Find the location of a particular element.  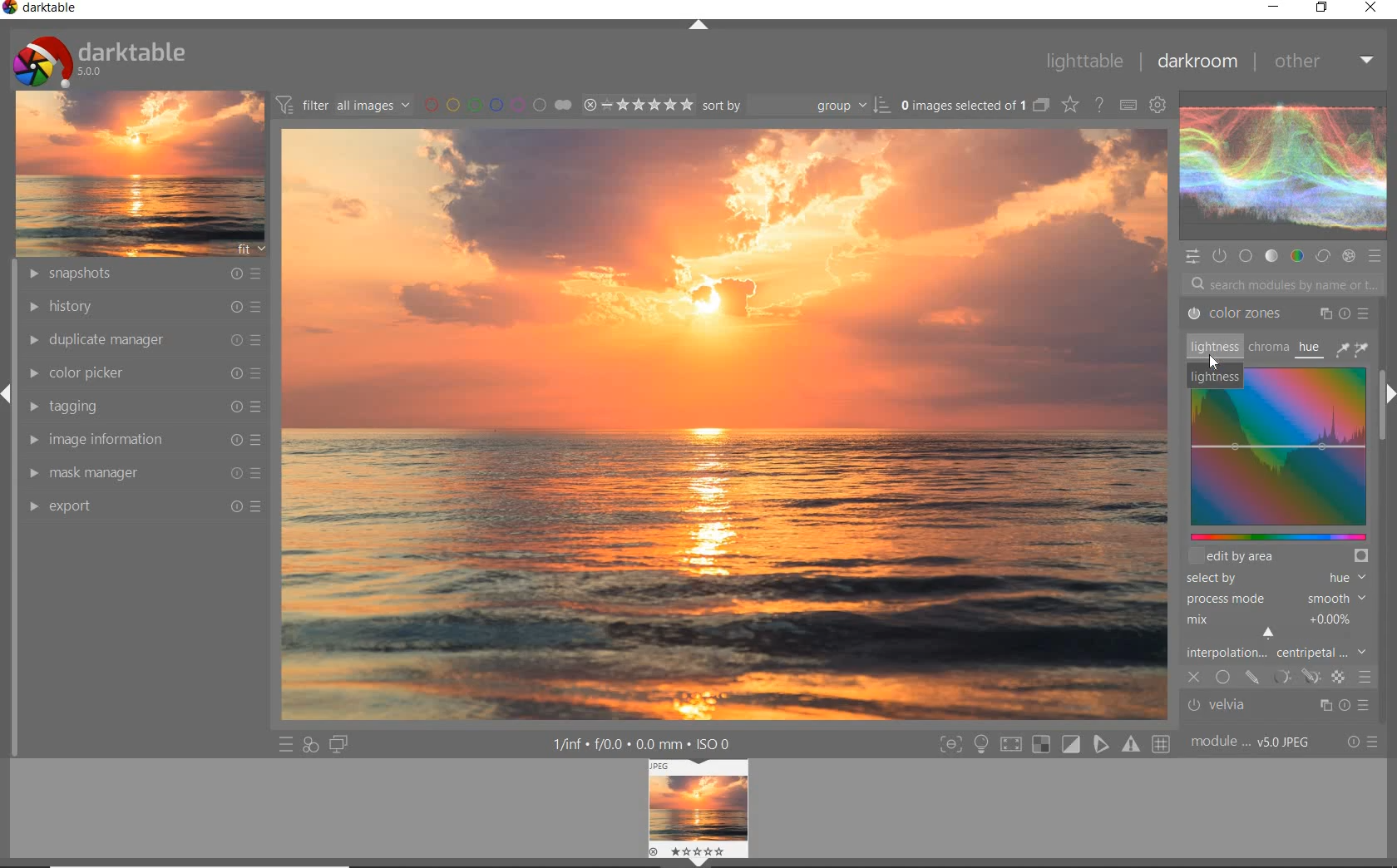

COLOR ZONES MAP is located at coordinates (1276, 451).